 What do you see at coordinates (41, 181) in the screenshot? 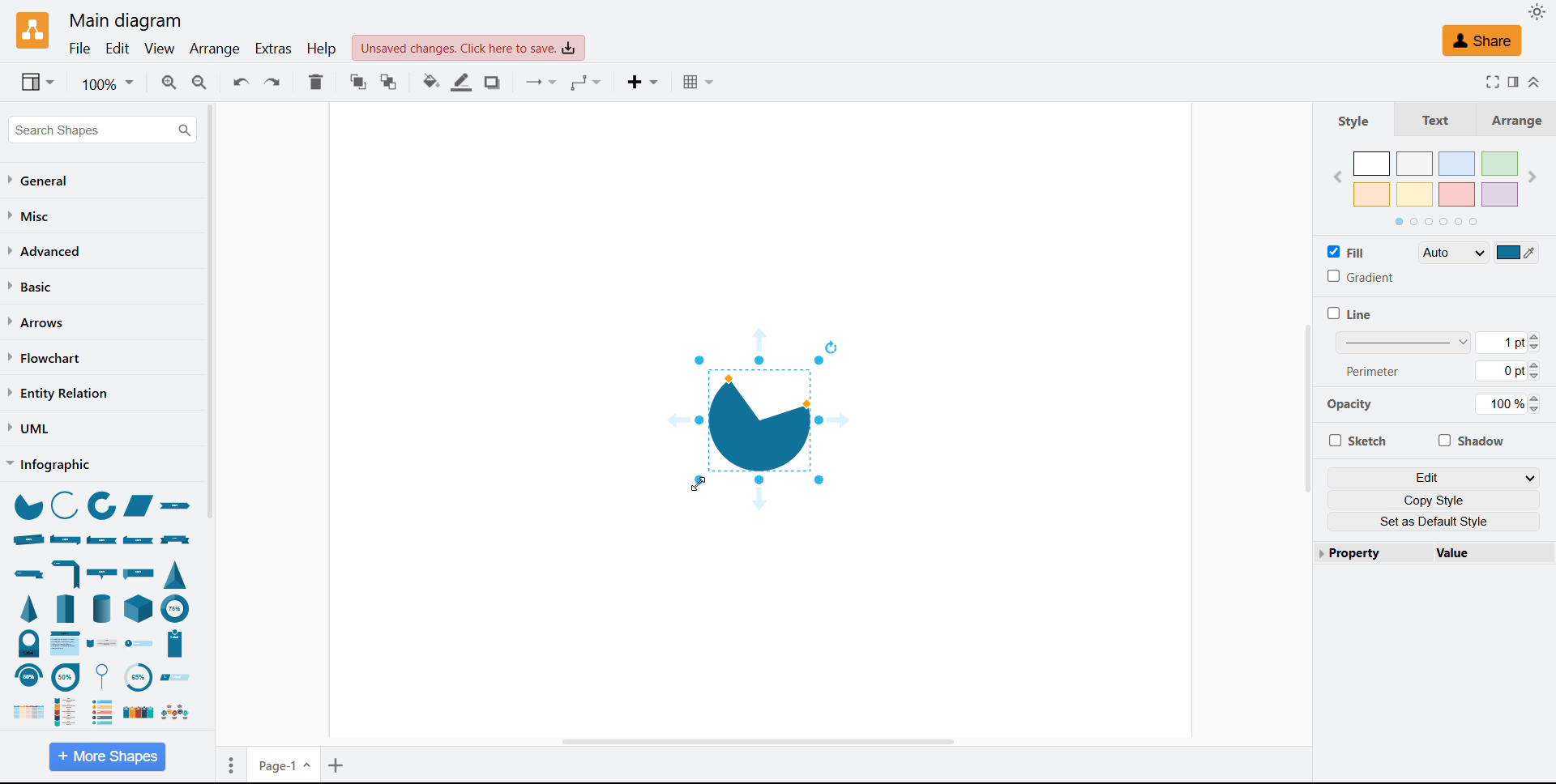
I see `general ` at bounding box center [41, 181].